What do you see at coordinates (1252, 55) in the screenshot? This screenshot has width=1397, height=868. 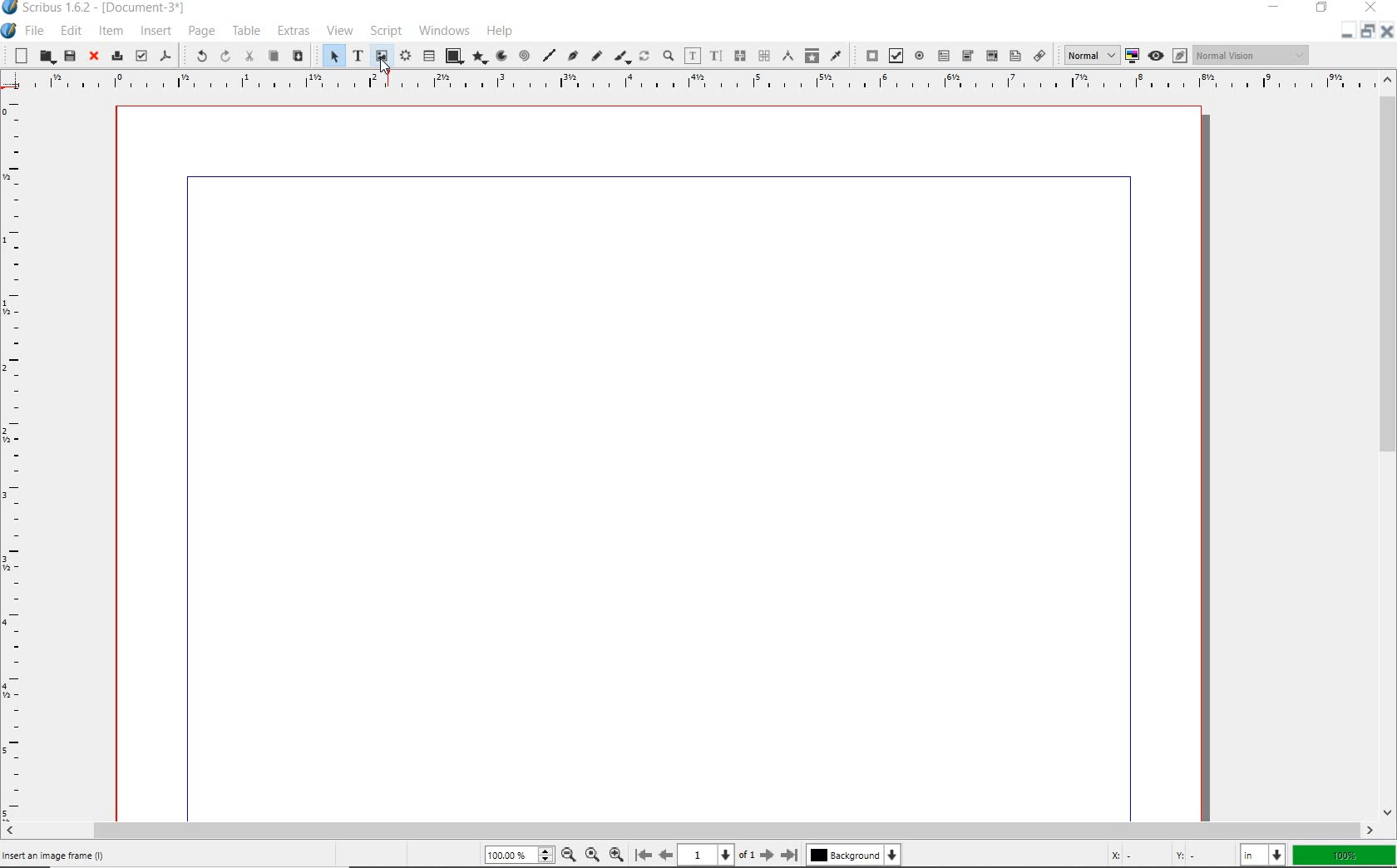 I see `visual appearance of display` at bounding box center [1252, 55].